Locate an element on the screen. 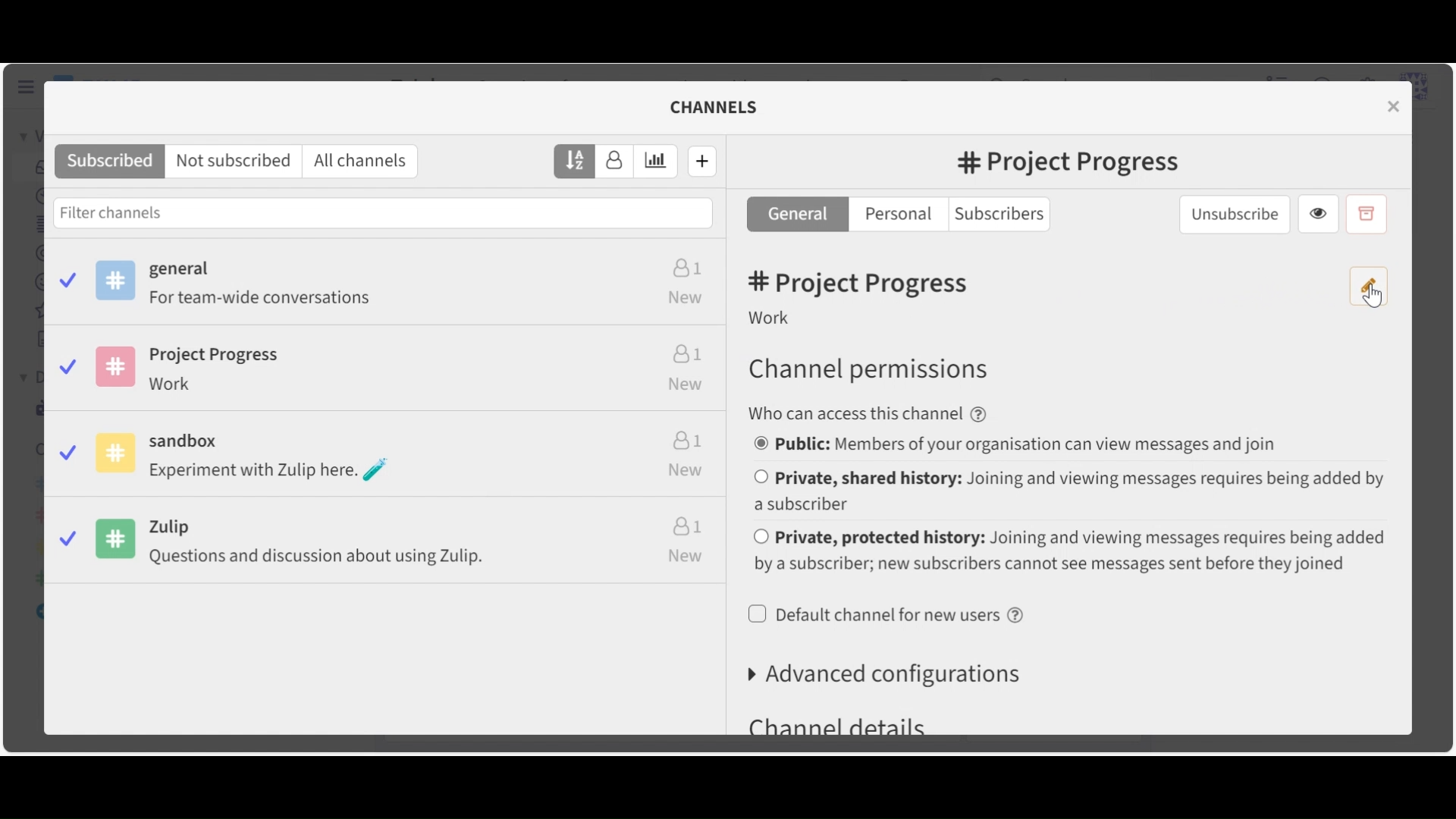 This screenshot has height=819, width=1456. Archive Channel is located at coordinates (1364, 214).